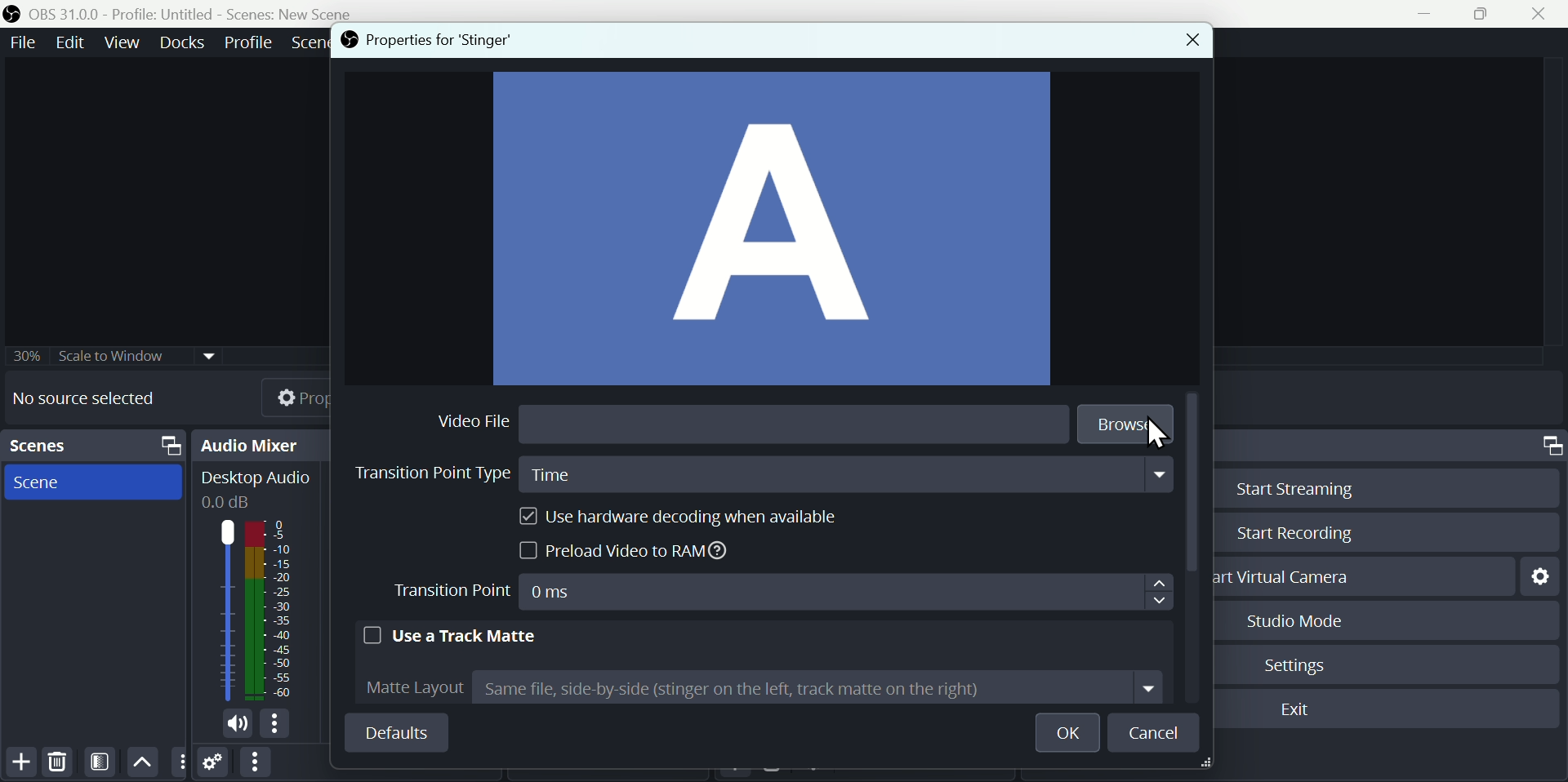  Describe the element at coordinates (180, 762) in the screenshot. I see `more option` at that location.